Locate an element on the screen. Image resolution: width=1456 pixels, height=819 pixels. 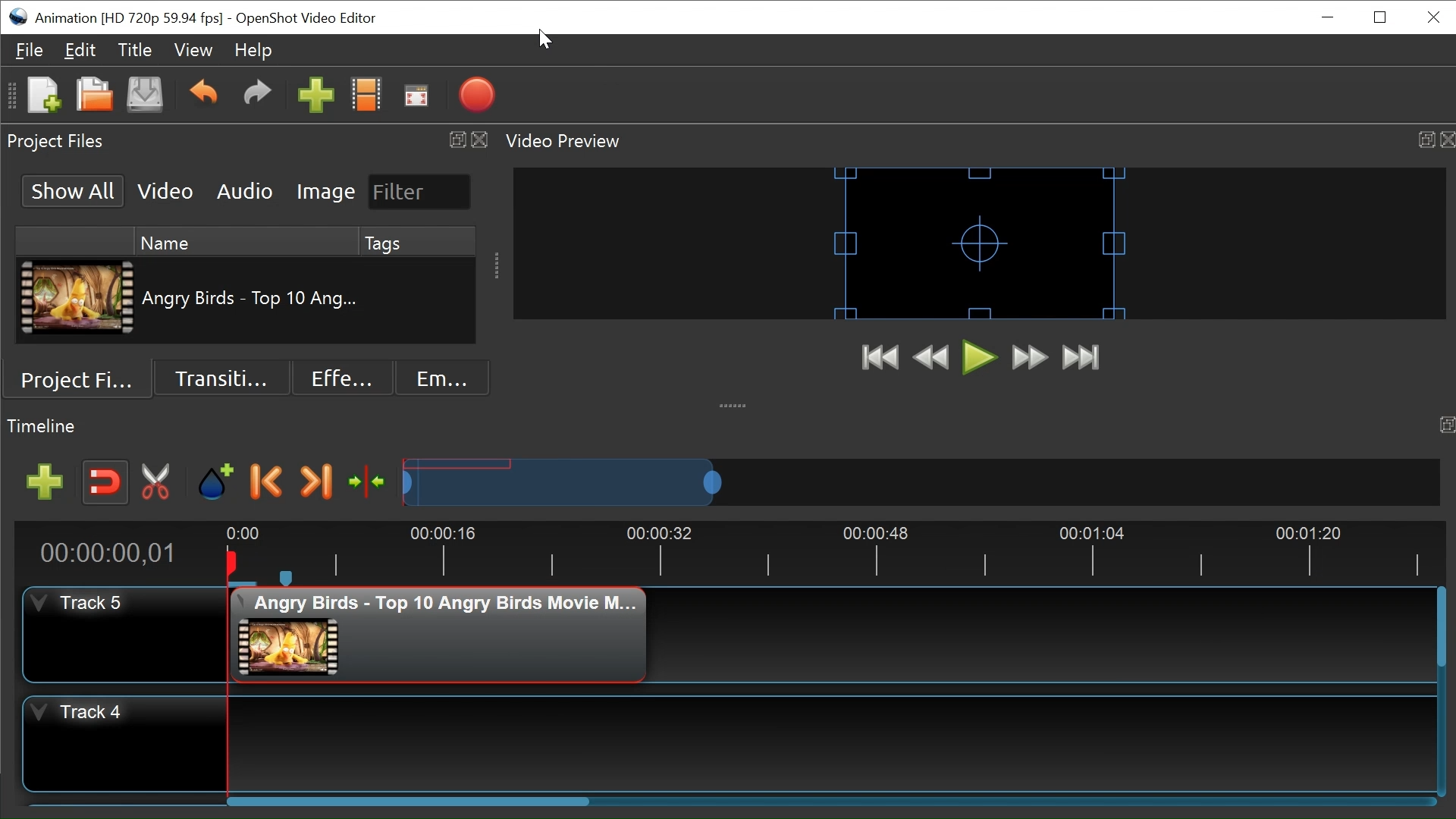
Emoji is located at coordinates (431, 379).